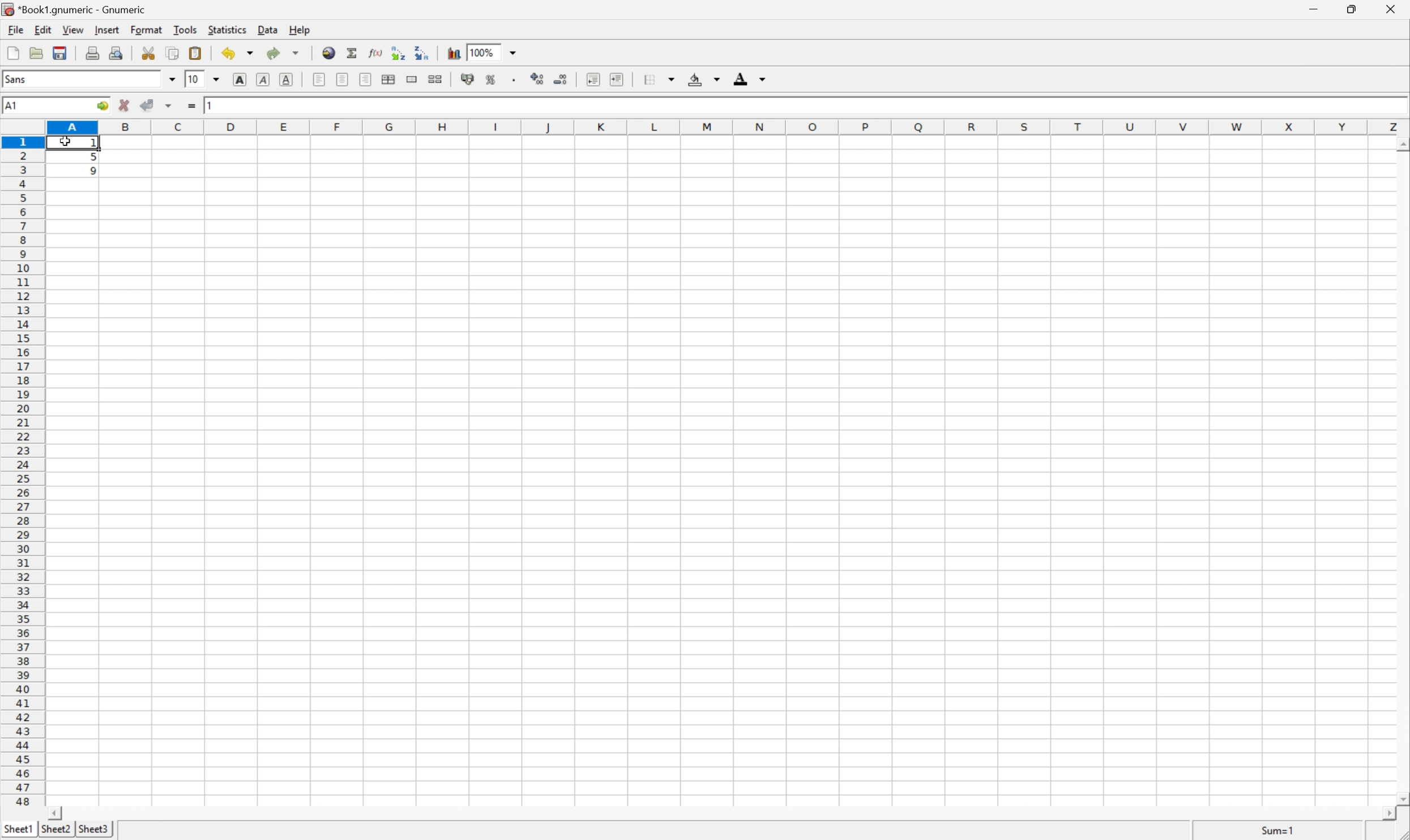  I want to click on scroll up, so click(1401, 145).